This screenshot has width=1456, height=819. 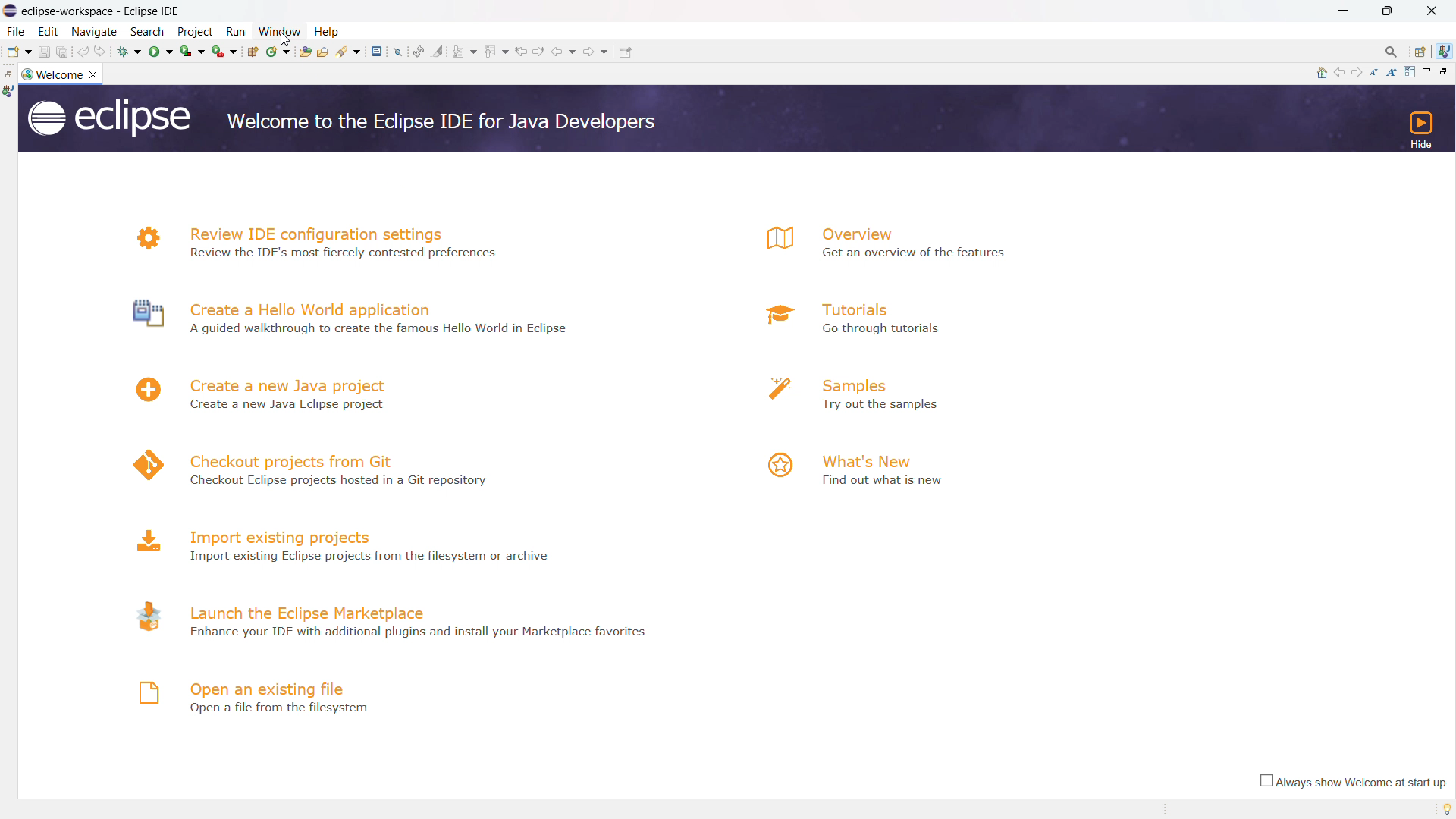 What do you see at coordinates (777, 465) in the screenshot?
I see `logo` at bounding box center [777, 465].